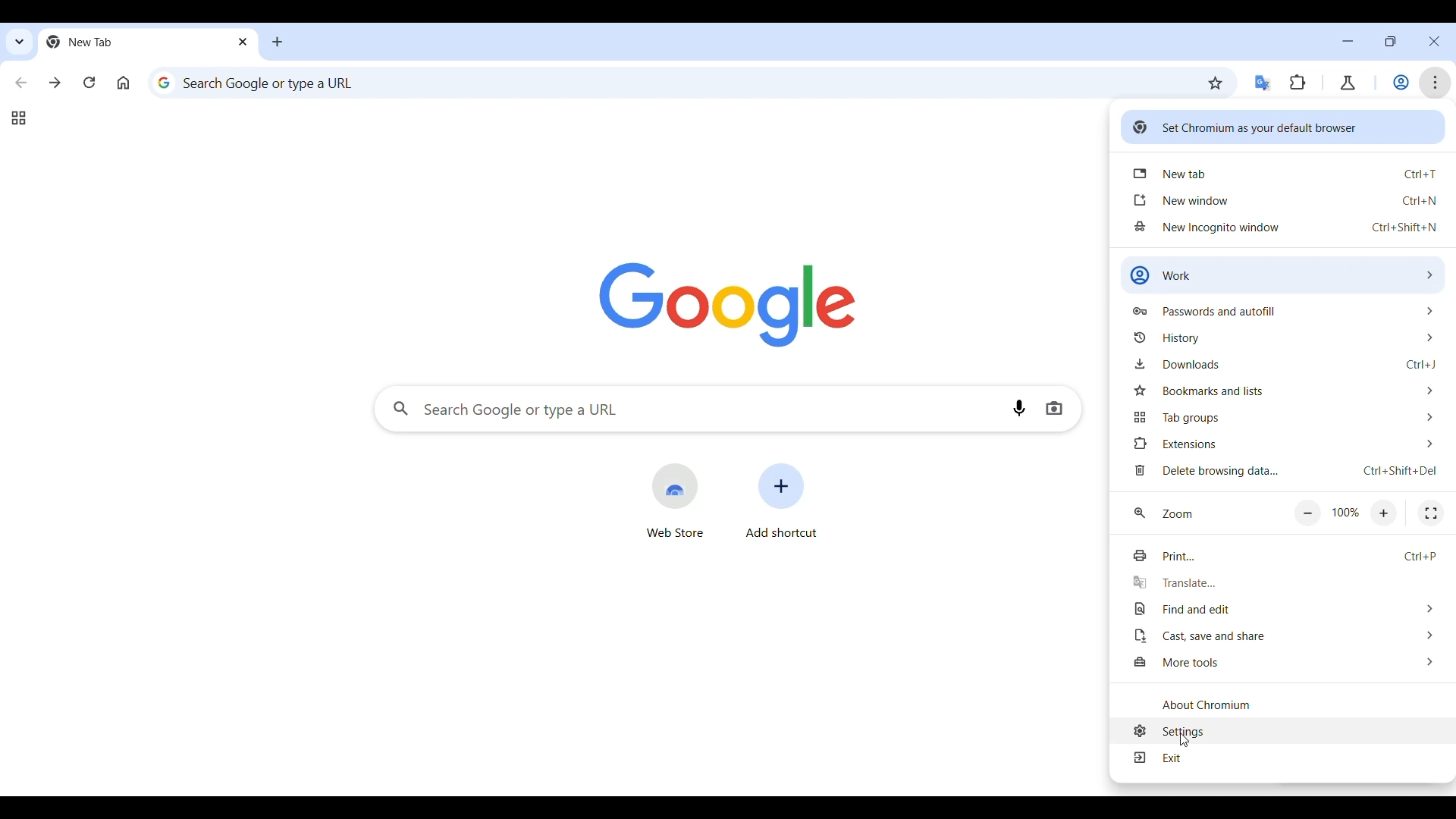  Describe the element at coordinates (1284, 363) in the screenshot. I see `Downloads` at that location.